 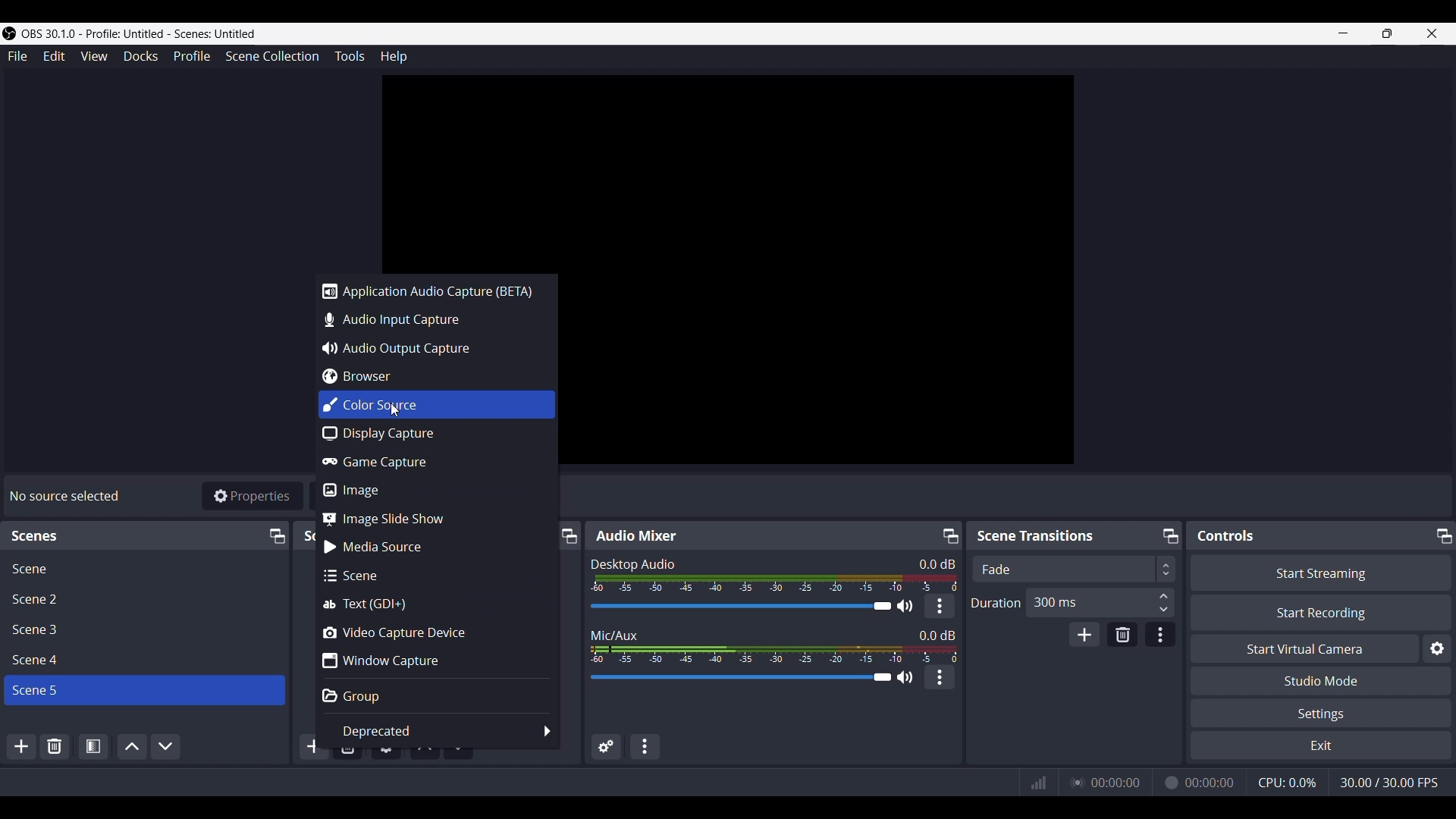 I want to click on Scene Transition adjuster, so click(x=1072, y=569).